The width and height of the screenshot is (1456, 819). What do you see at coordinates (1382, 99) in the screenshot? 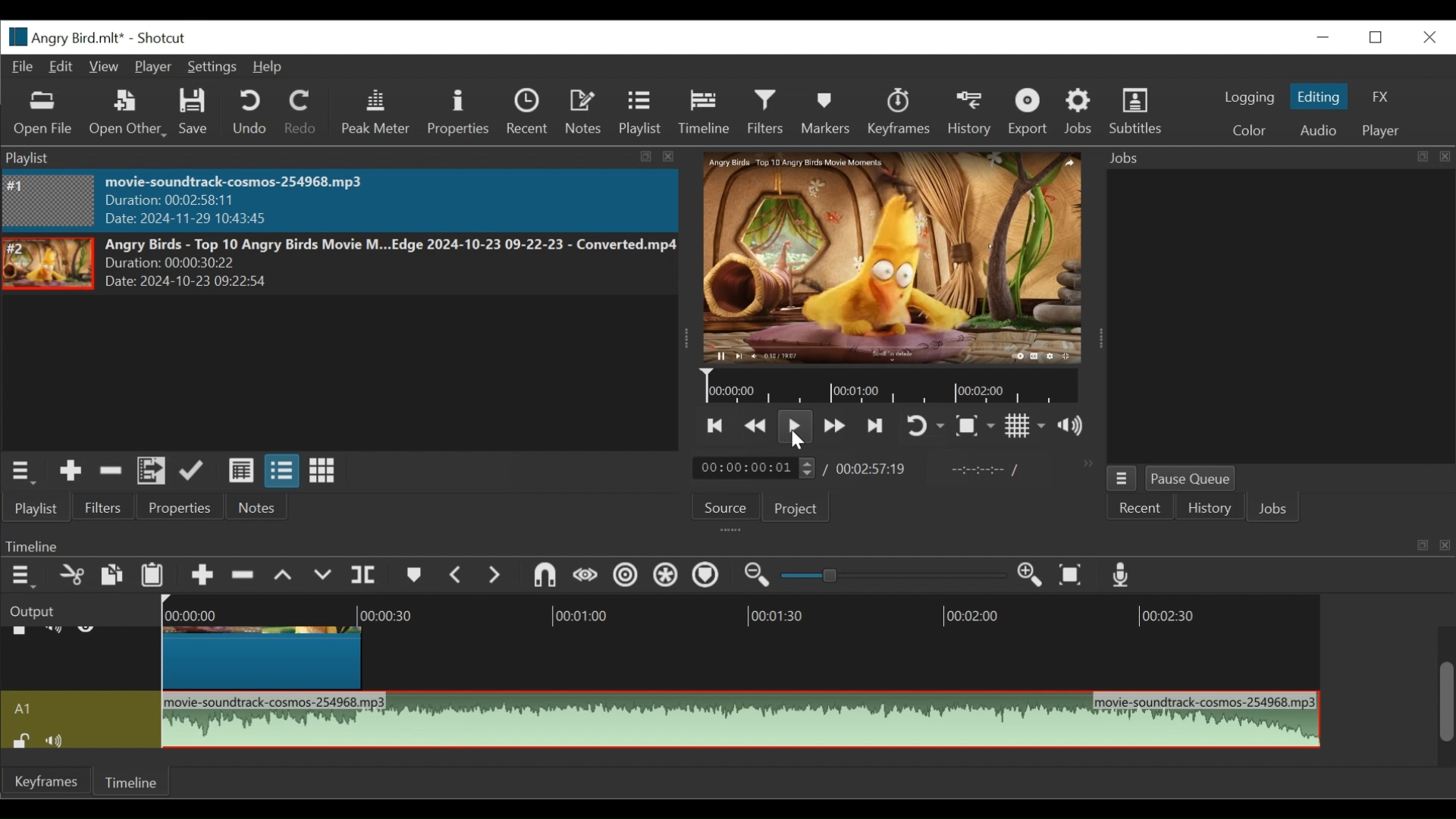
I see `FX` at bounding box center [1382, 99].